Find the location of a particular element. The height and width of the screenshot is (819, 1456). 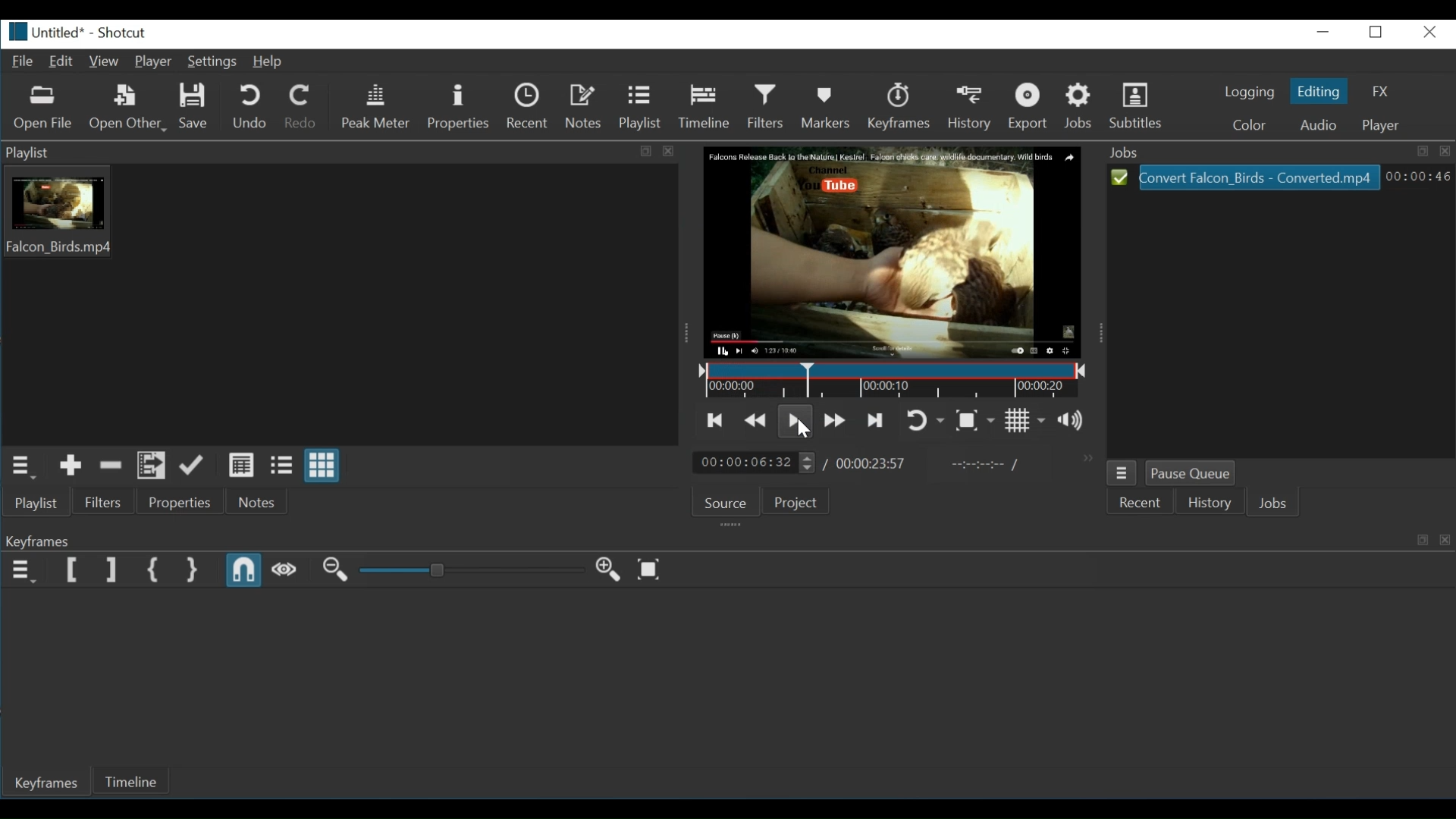

Properties is located at coordinates (457, 106).